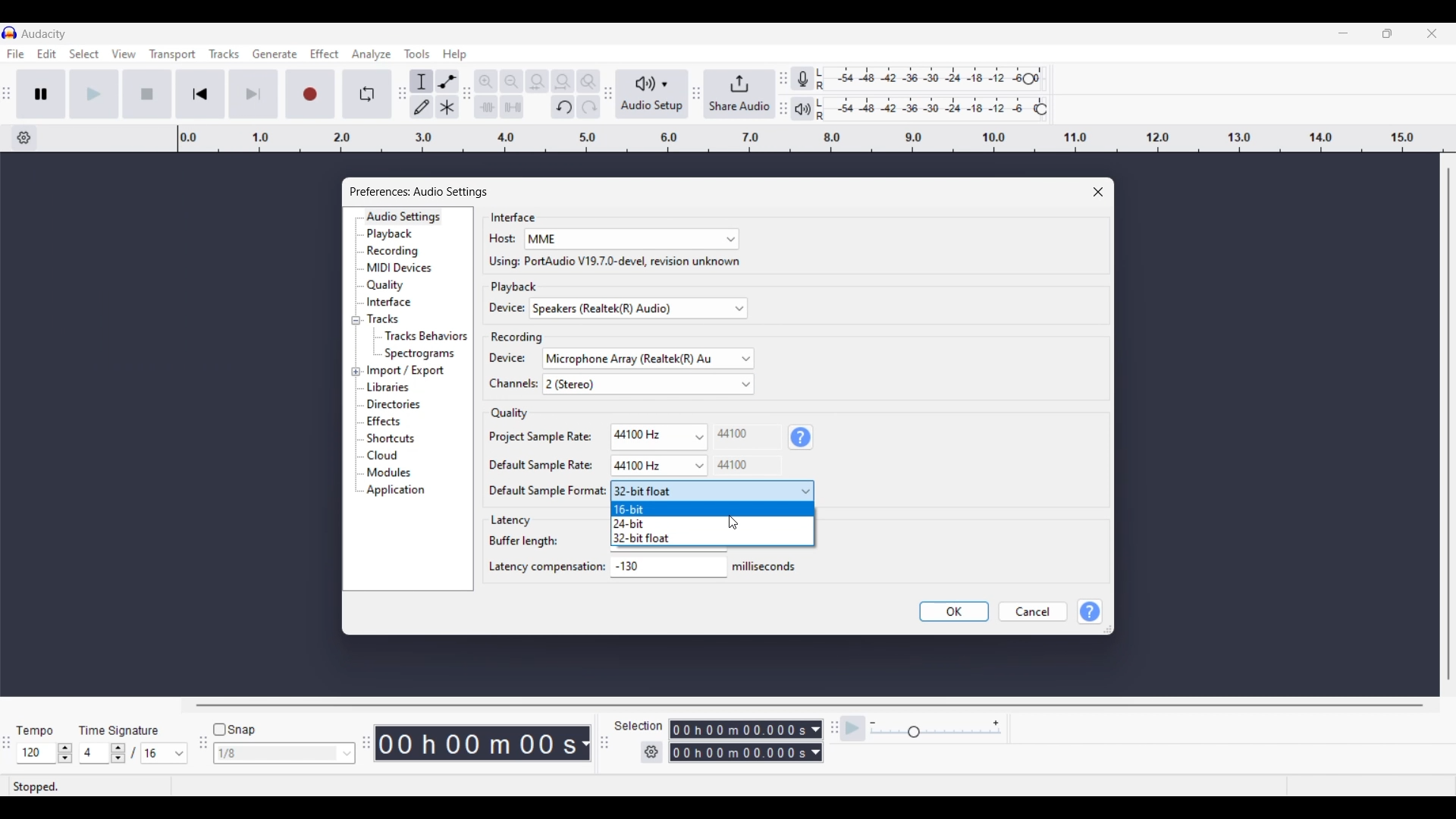 The image size is (1456, 819). I want to click on Trim audio outside selection, so click(485, 106).